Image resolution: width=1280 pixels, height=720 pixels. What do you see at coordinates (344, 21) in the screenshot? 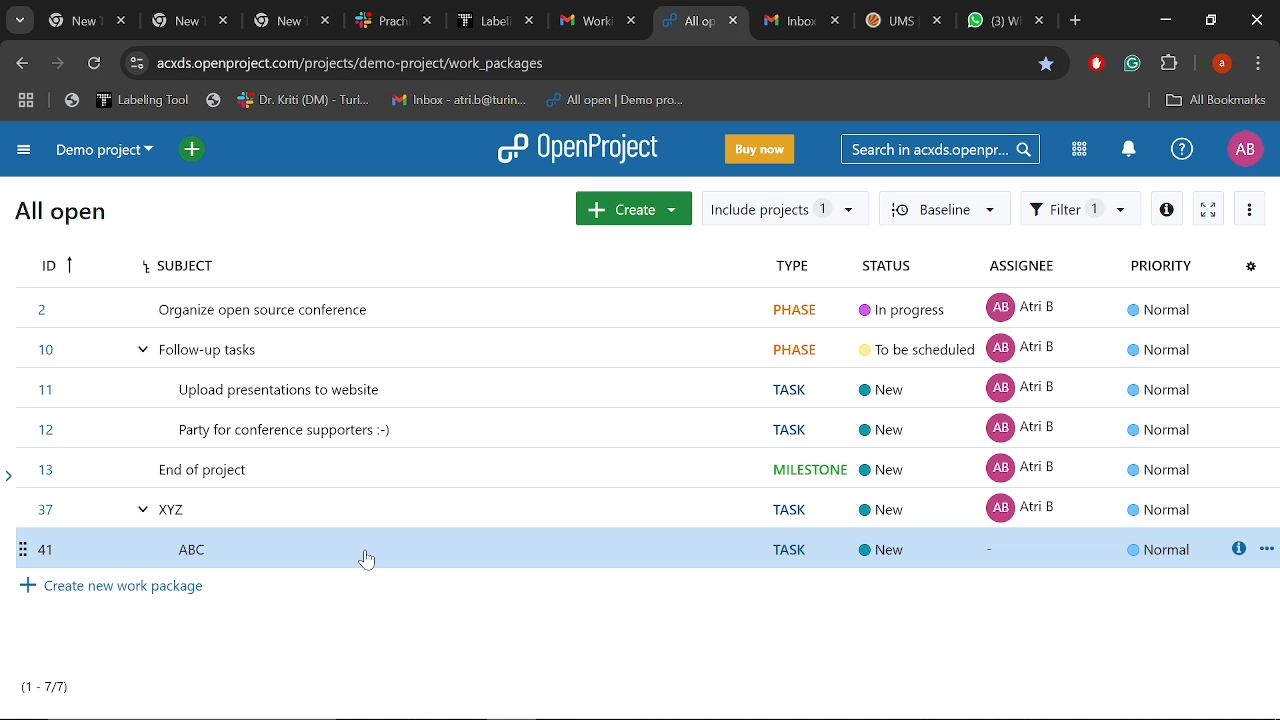
I see `Other tabs` at bounding box center [344, 21].